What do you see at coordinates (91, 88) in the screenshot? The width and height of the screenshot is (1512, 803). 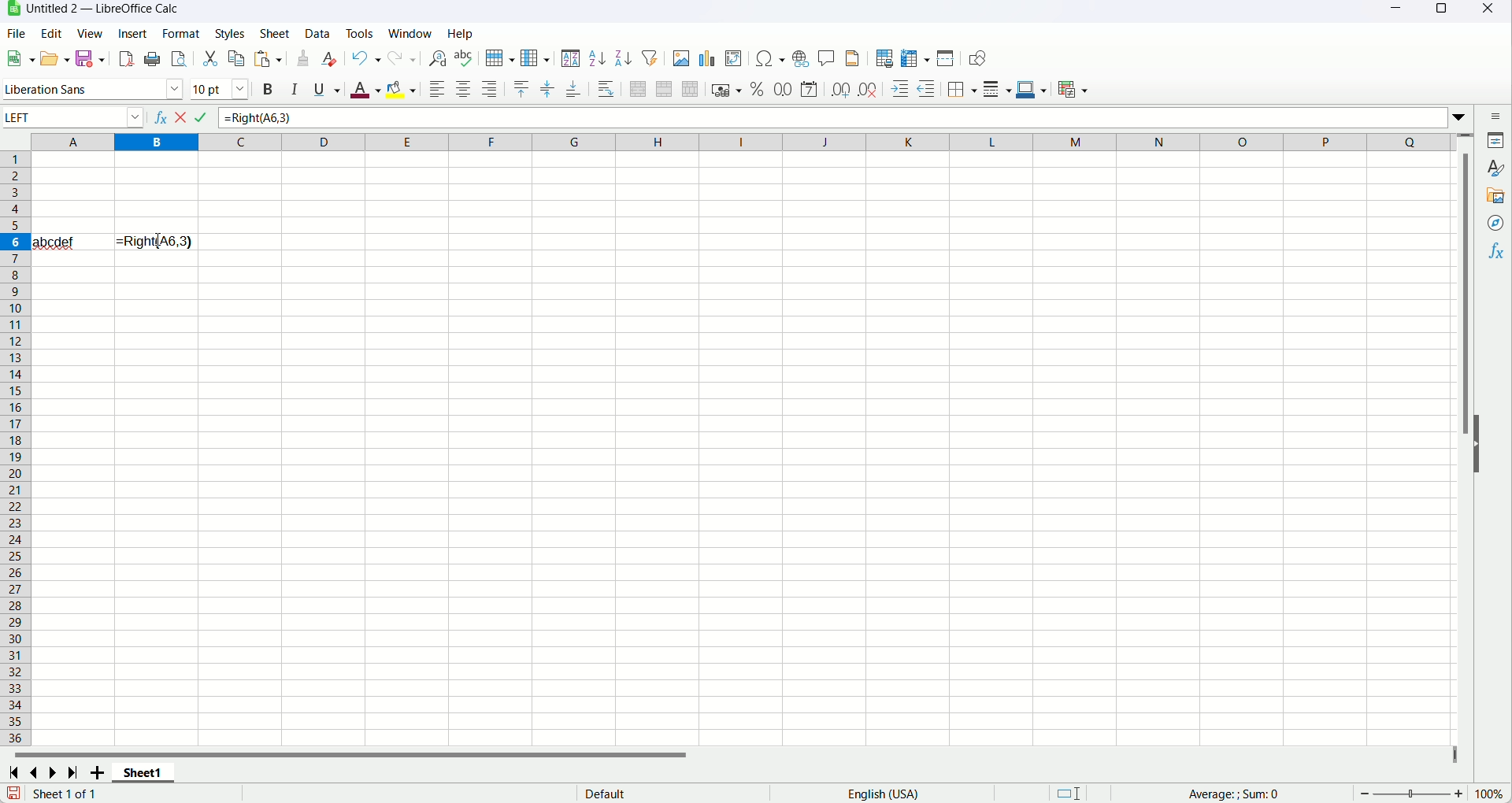 I see `font name` at bounding box center [91, 88].